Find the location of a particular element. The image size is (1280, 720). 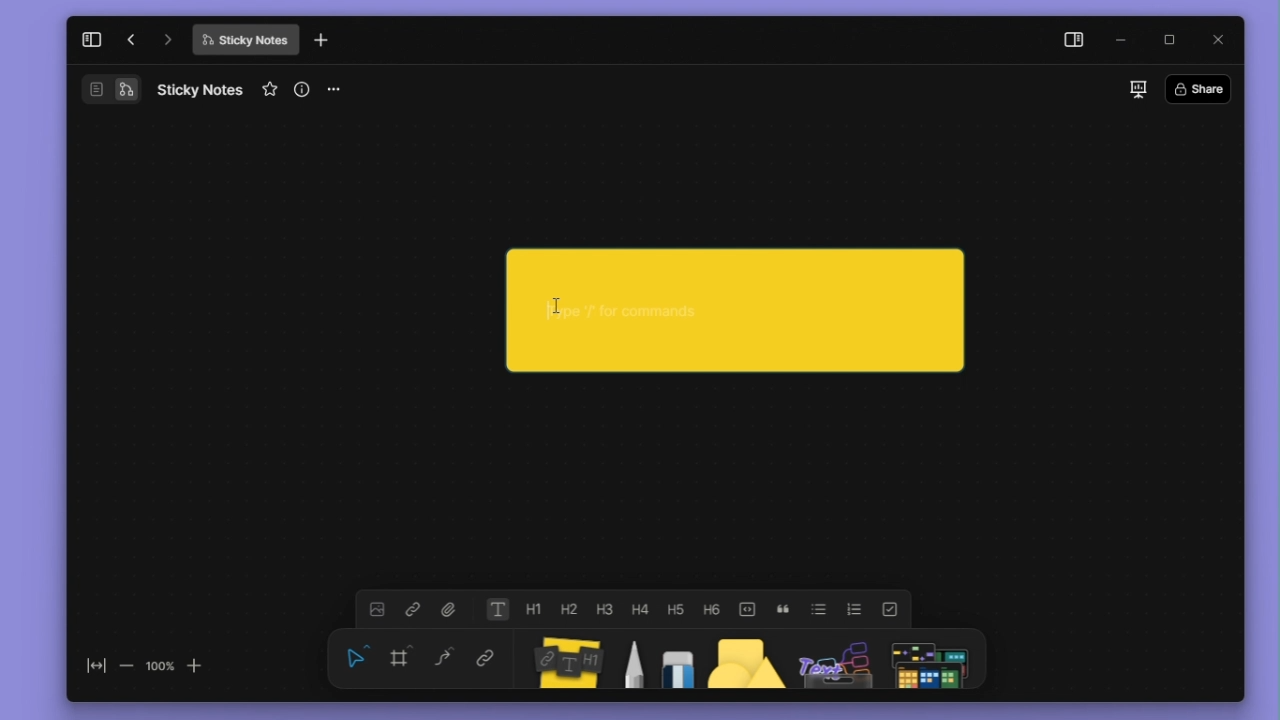

check list is located at coordinates (896, 609).